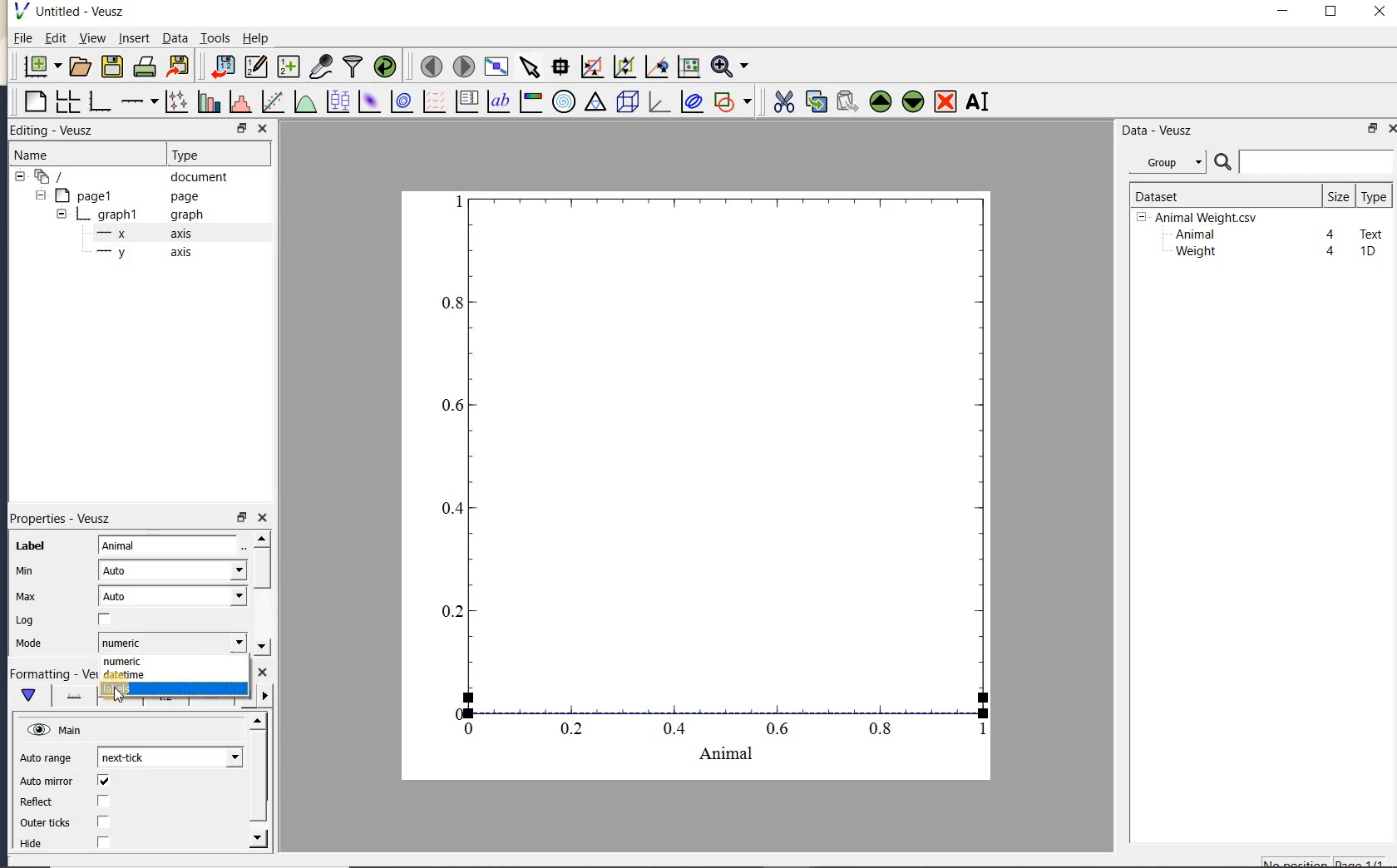 Image resolution: width=1397 pixels, height=868 pixels. I want to click on Reflect, so click(44, 802).